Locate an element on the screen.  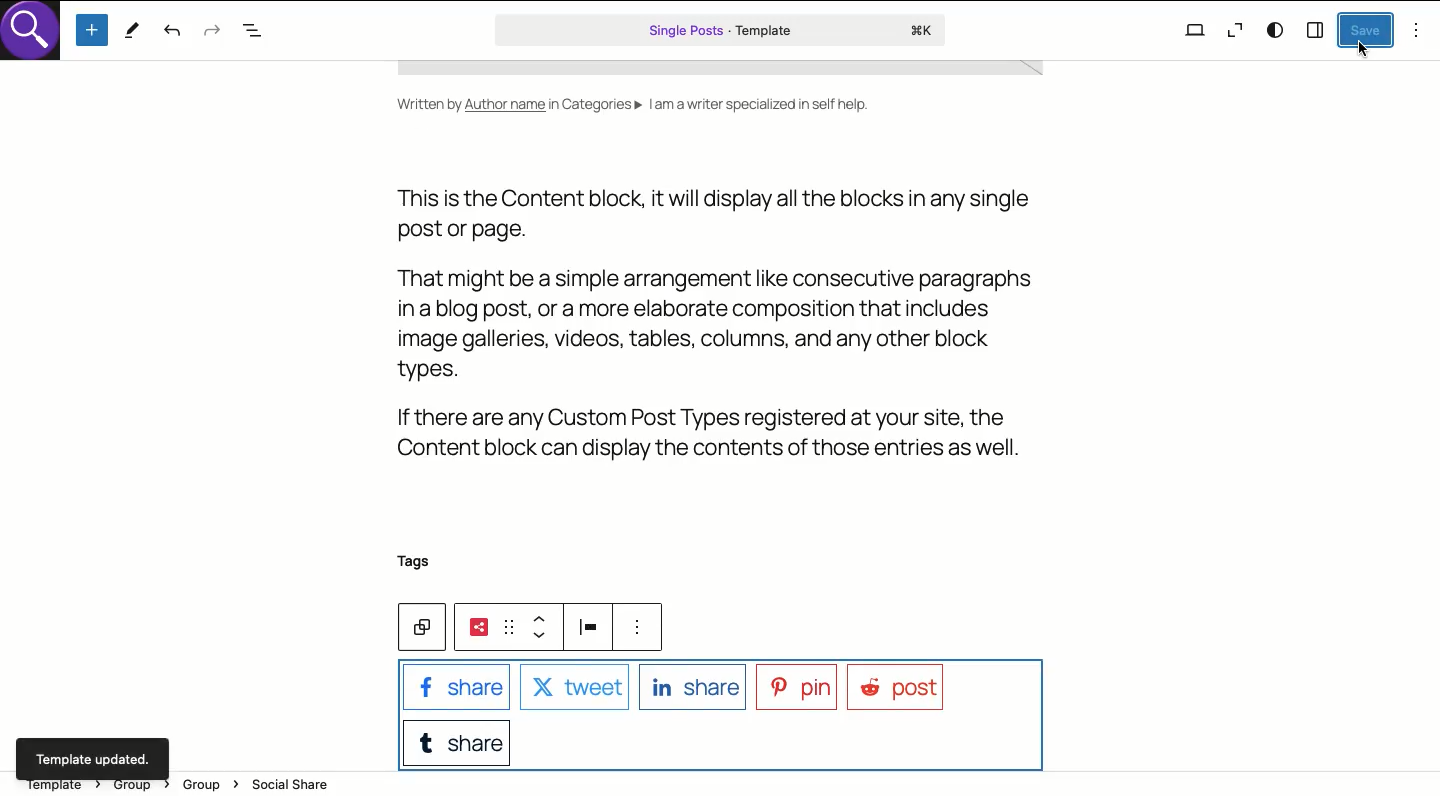
Linkedin is located at coordinates (689, 687).